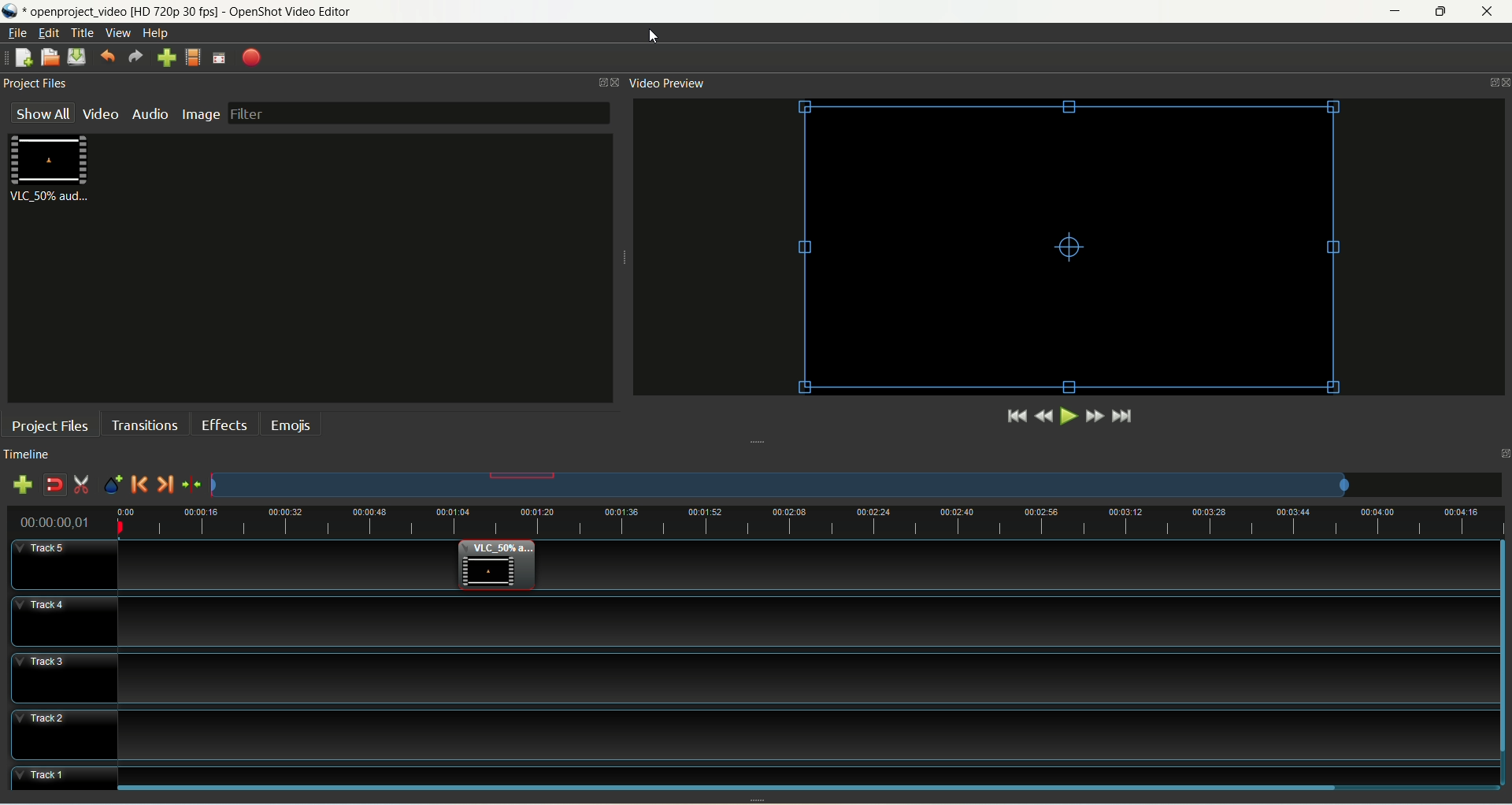 Image resolution: width=1512 pixels, height=805 pixels. I want to click on export video, so click(251, 58).